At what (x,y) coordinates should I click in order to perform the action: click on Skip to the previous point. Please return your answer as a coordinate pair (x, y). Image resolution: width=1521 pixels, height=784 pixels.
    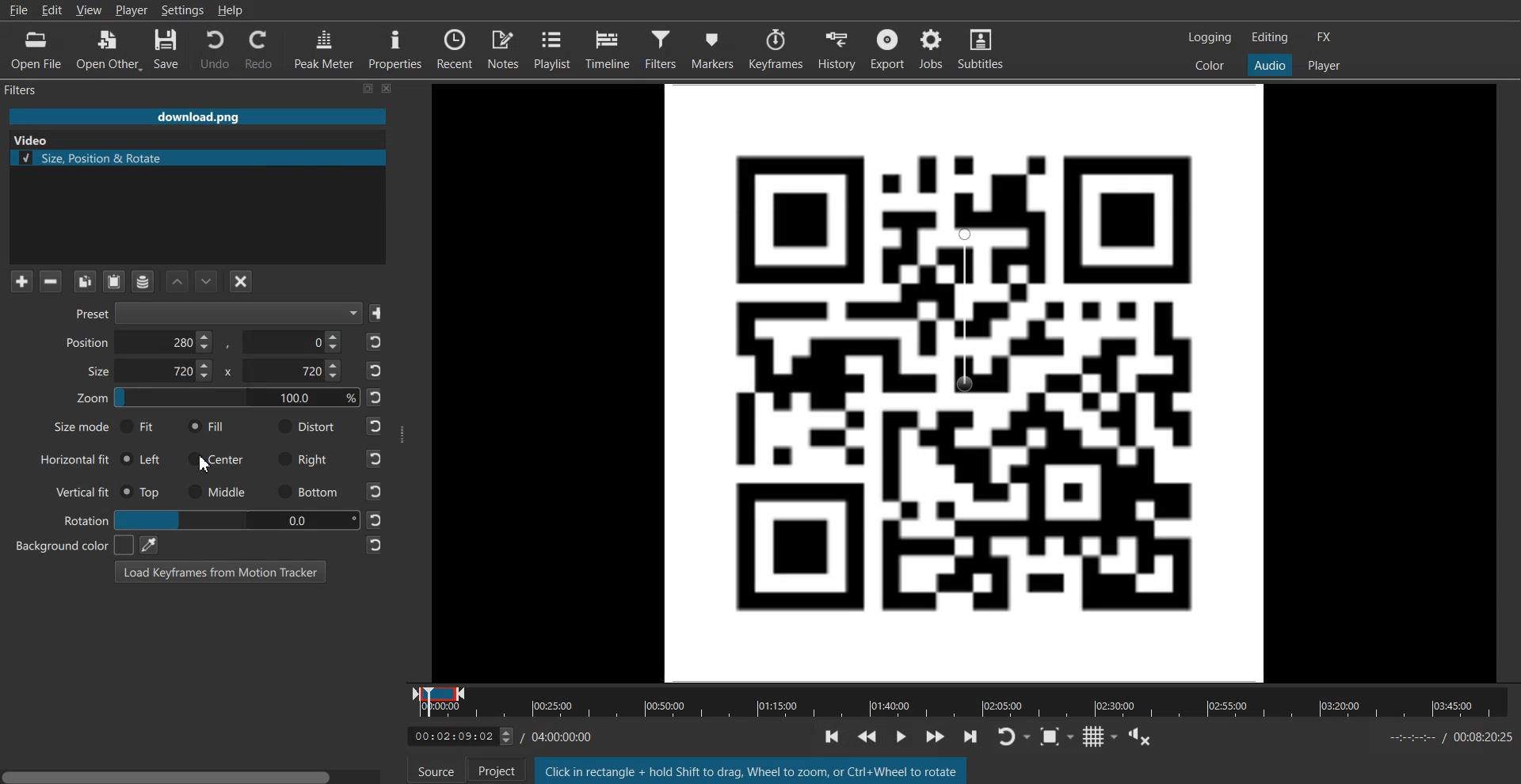
    Looking at the image, I should click on (831, 736).